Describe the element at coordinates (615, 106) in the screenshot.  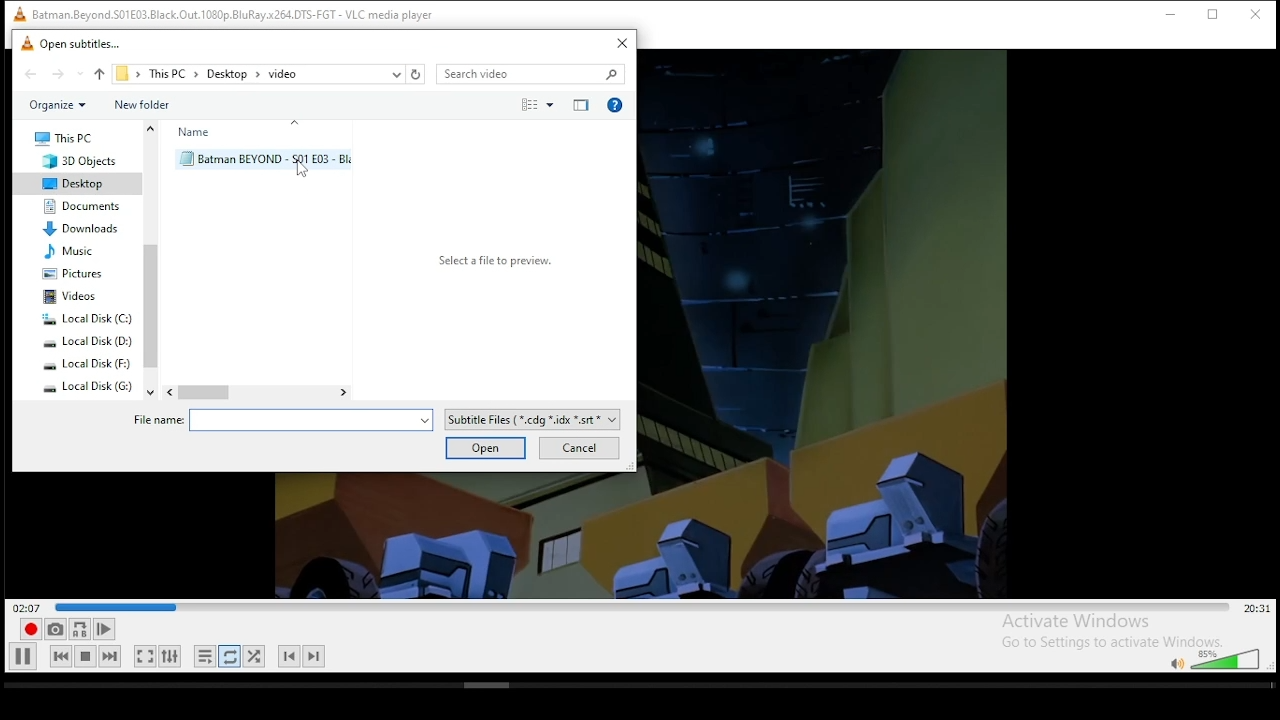
I see `get help` at that location.